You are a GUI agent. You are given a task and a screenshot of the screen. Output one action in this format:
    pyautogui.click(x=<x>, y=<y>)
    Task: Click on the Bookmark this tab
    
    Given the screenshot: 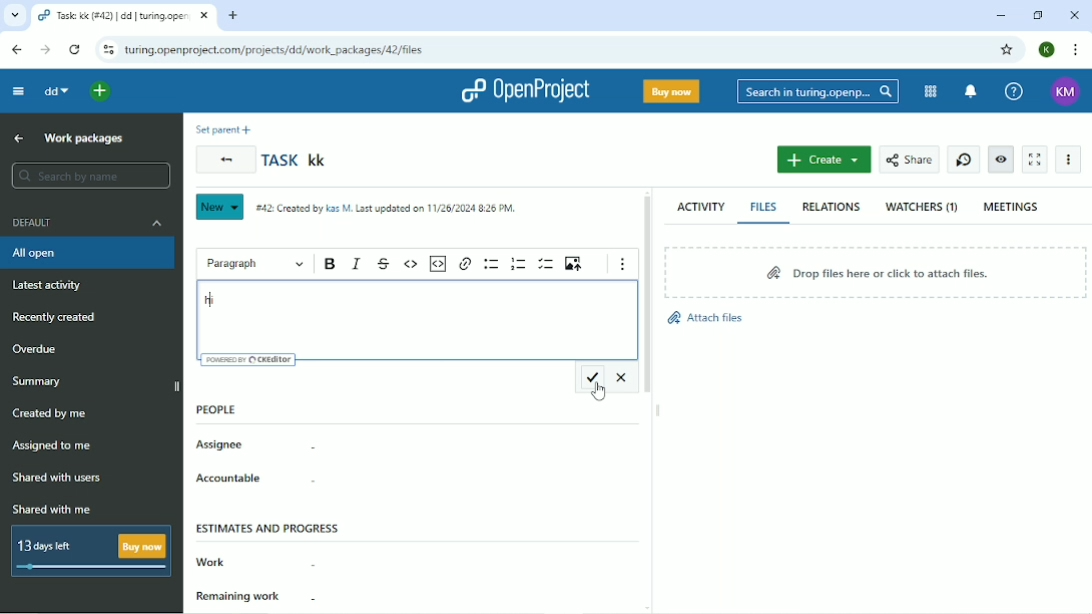 What is the action you would take?
    pyautogui.click(x=1007, y=50)
    